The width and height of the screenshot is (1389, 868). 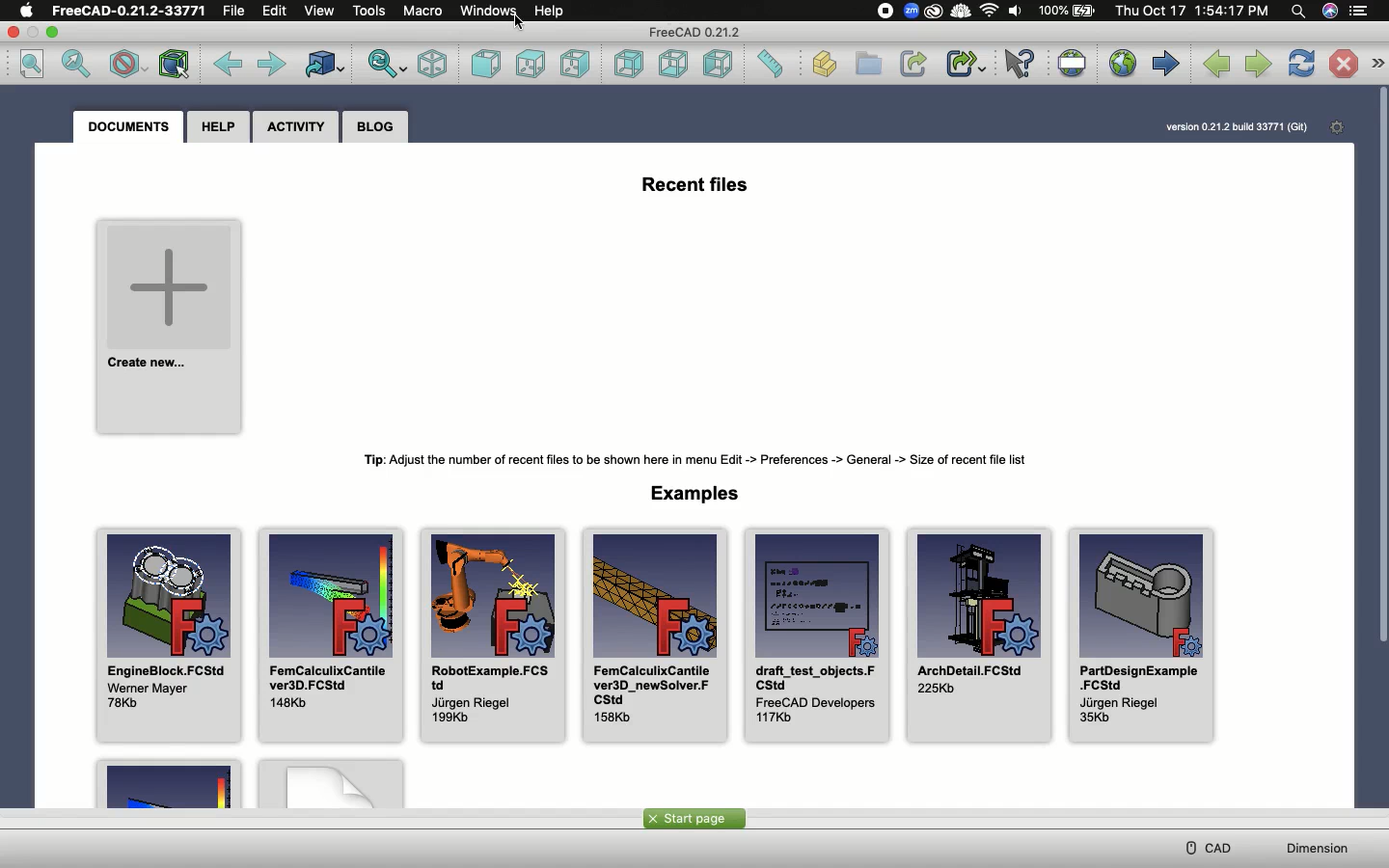 I want to click on Voice control, so click(x=1327, y=12).